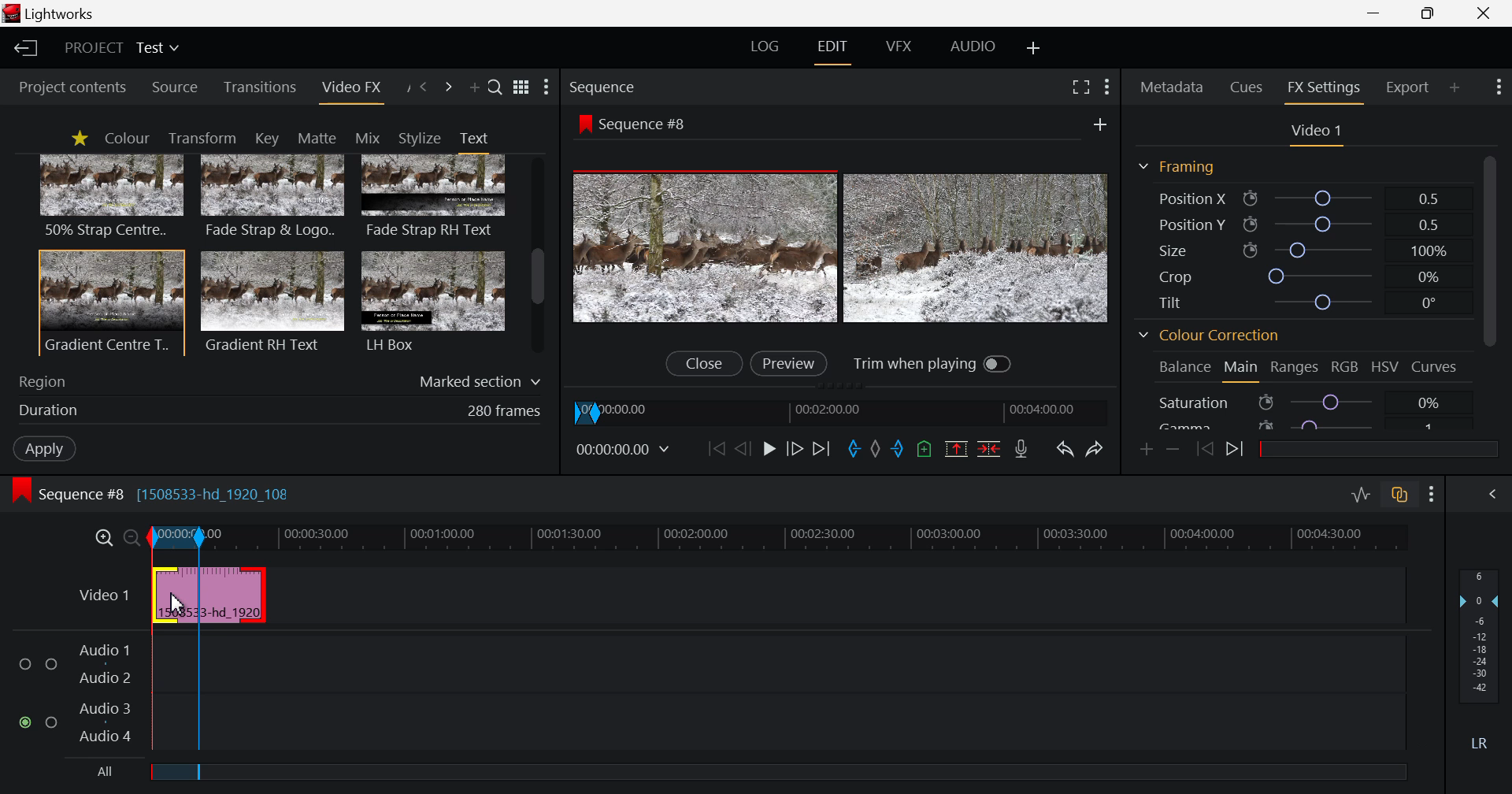 This screenshot has width=1512, height=794. I want to click on Duration, so click(276, 410).